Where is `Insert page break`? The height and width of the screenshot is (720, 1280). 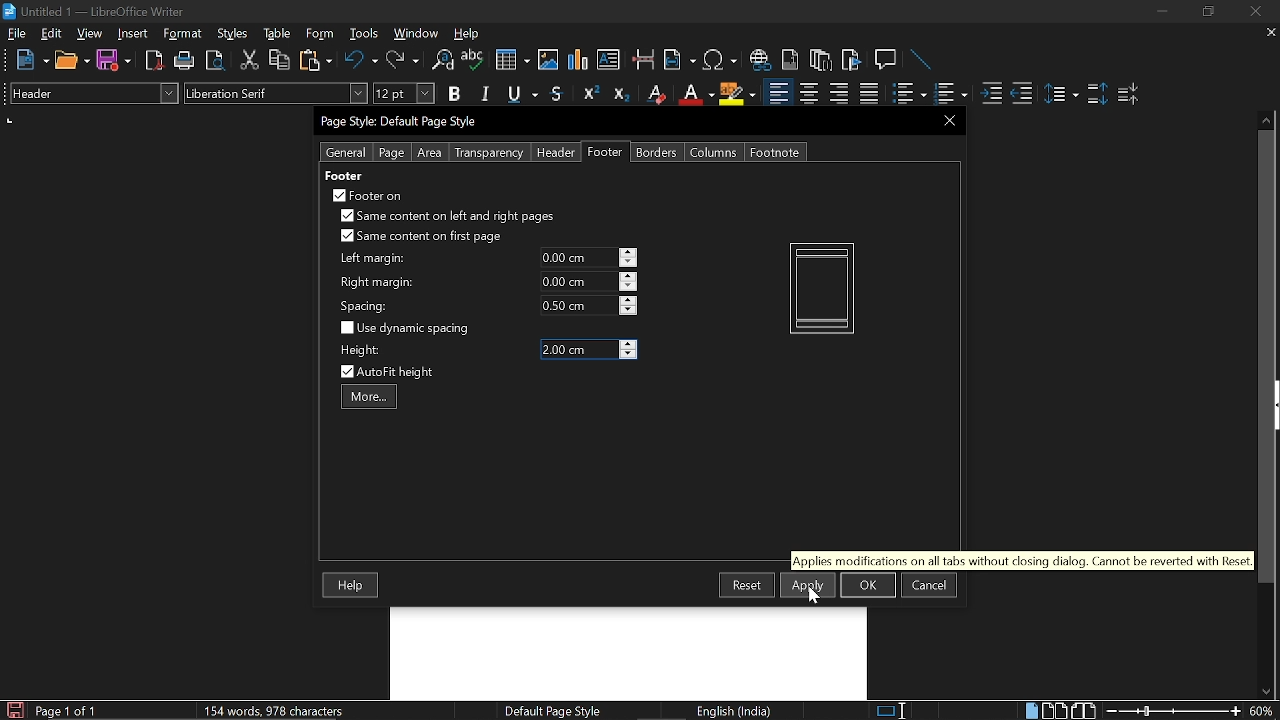
Insert page break is located at coordinates (642, 60).